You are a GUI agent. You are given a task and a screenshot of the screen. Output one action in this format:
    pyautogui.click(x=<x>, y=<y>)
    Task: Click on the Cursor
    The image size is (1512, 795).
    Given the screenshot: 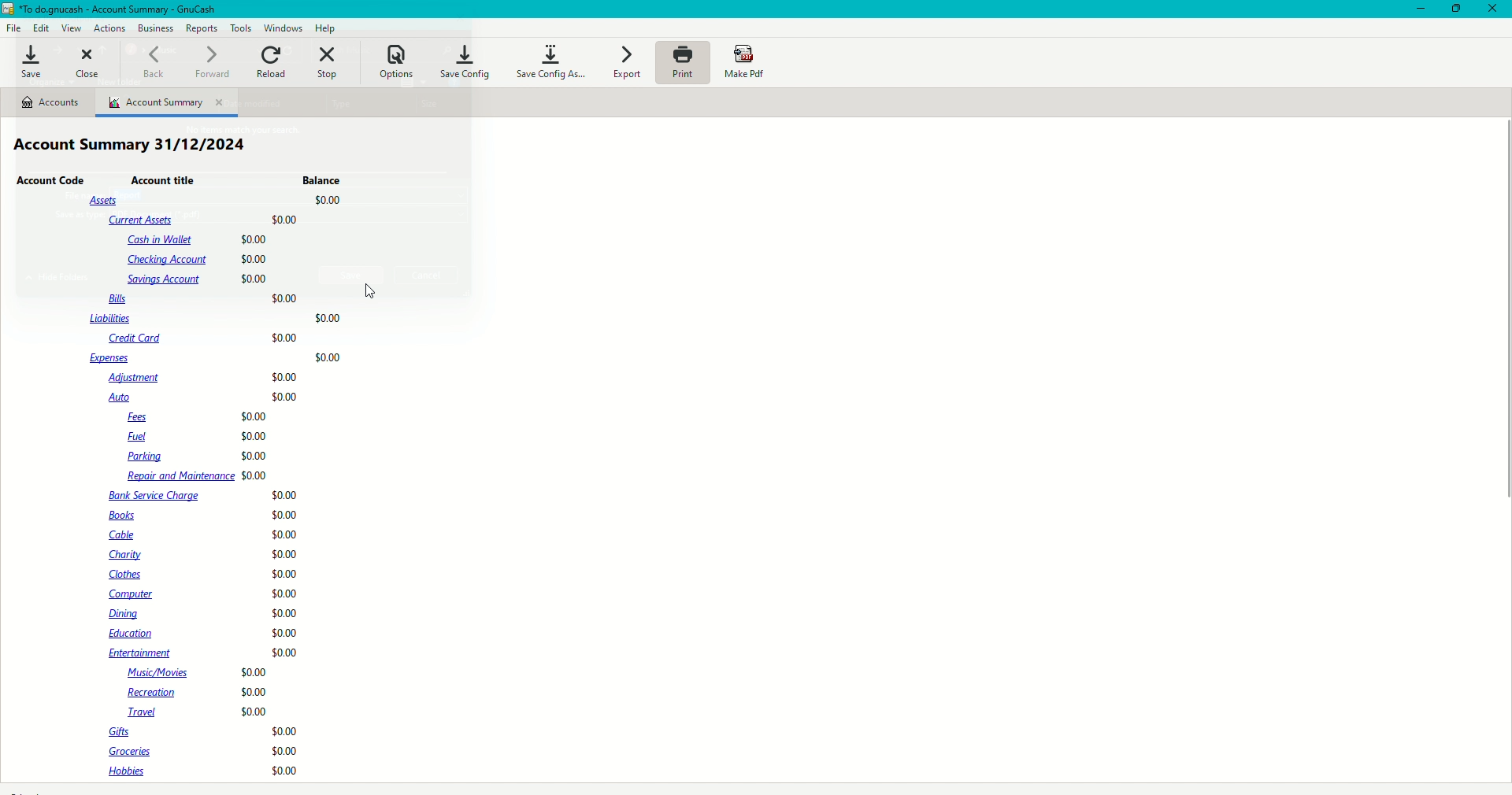 What is the action you would take?
    pyautogui.click(x=373, y=290)
    